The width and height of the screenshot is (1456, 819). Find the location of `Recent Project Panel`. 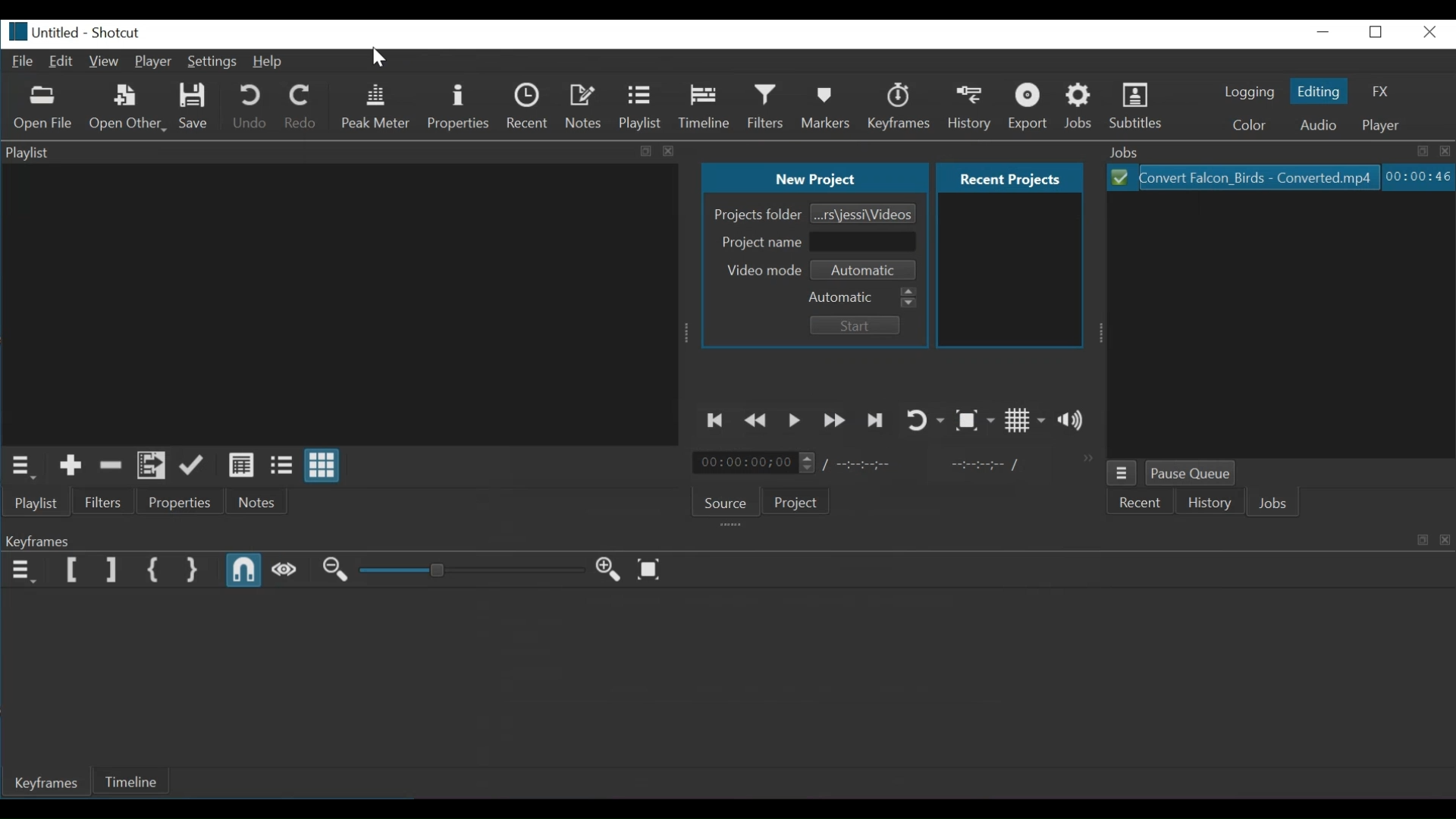

Recent Project Panel is located at coordinates (1009, 271).